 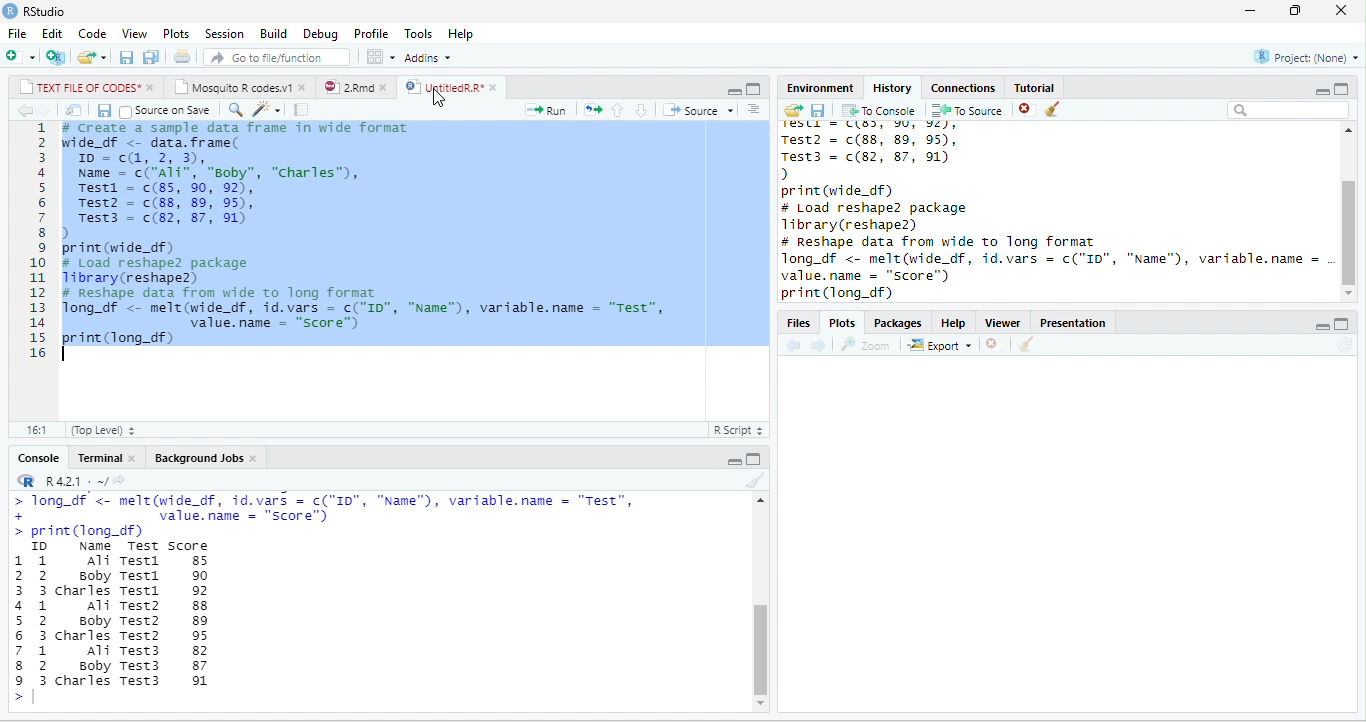 What do you see at coordinates (151, 57) in the screenshot?
I see `save all` at bounding box center [151, 57].